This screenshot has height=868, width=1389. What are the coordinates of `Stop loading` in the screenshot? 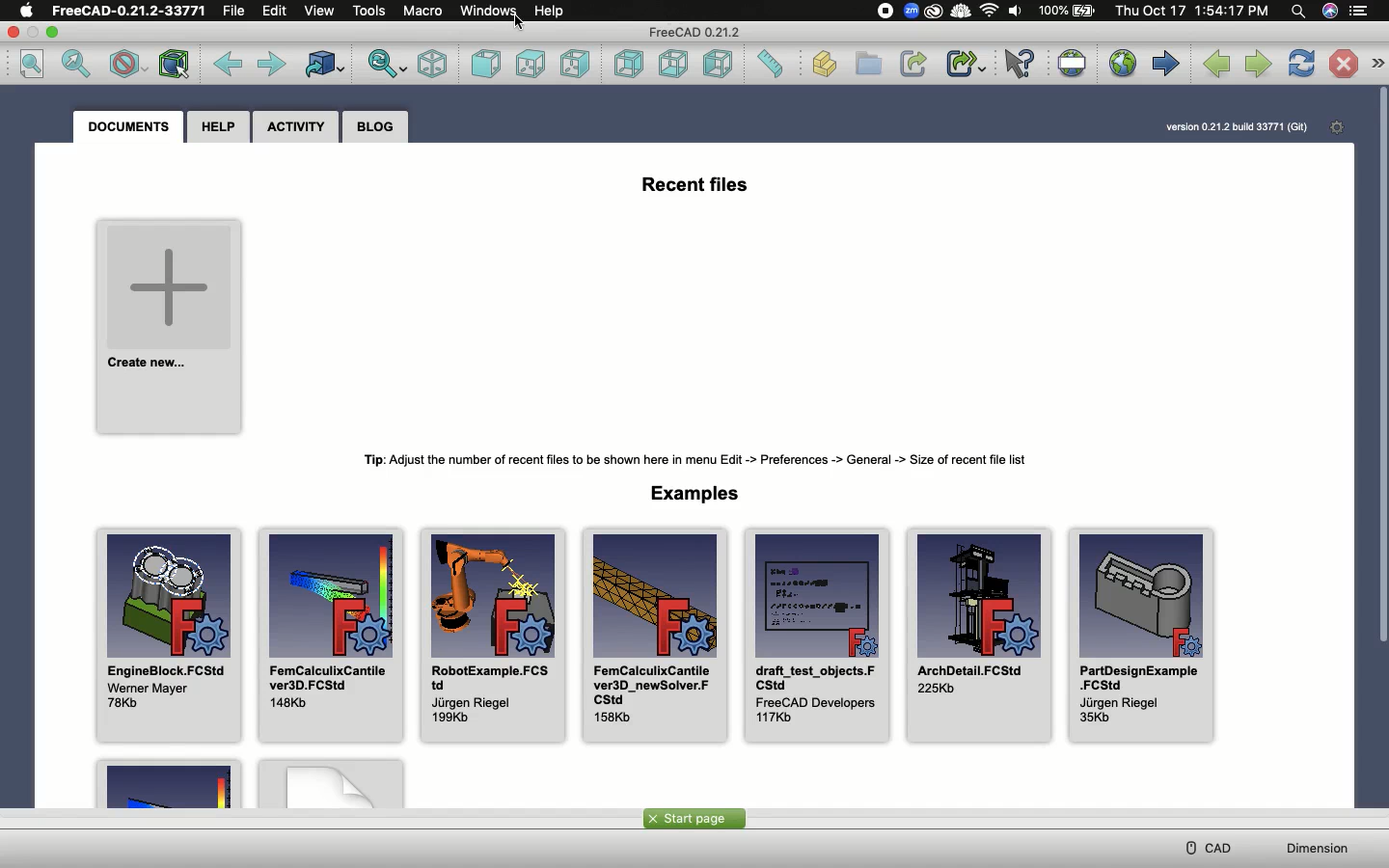 It's located at (1343, 64).